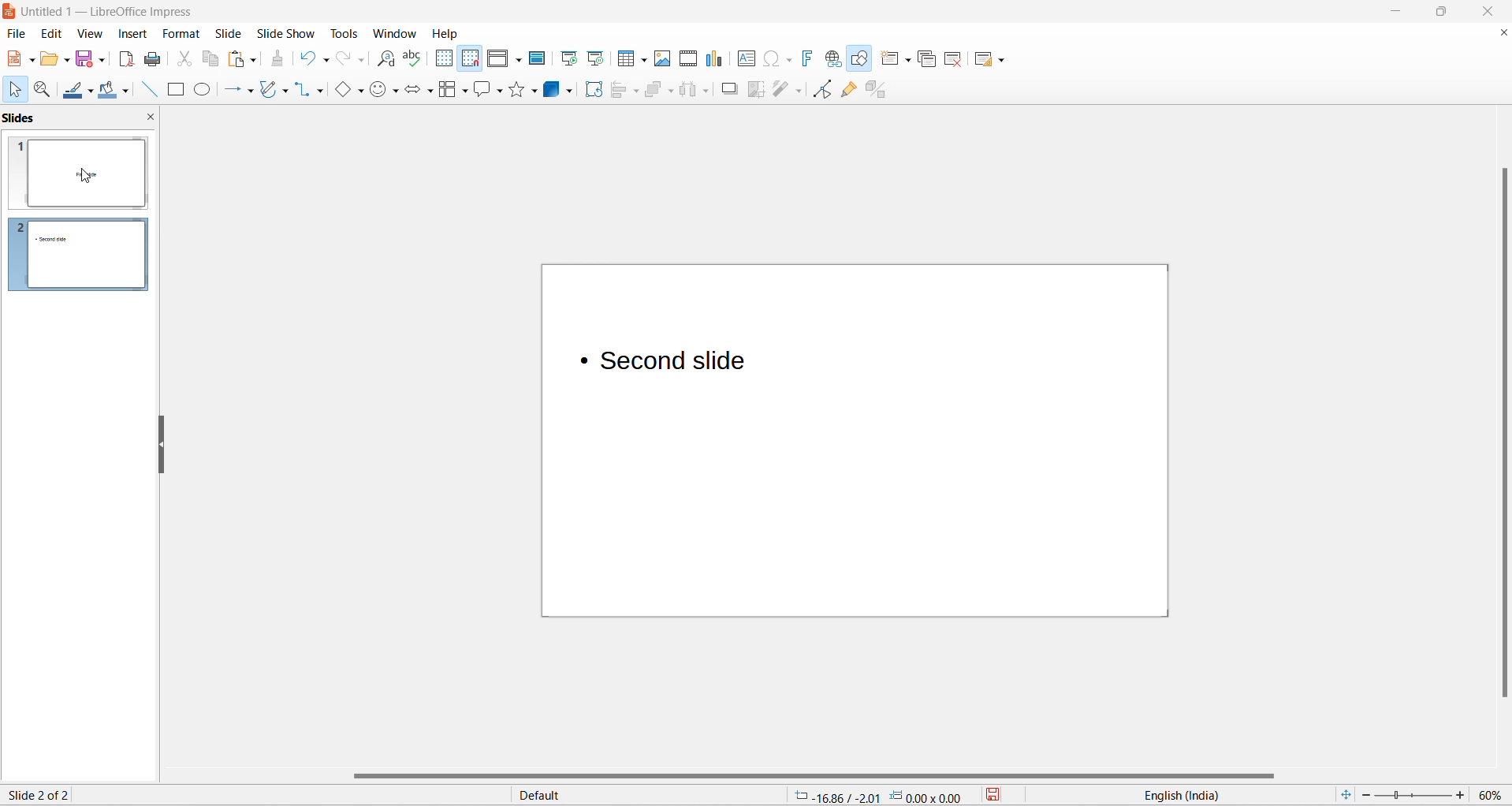 This screenshot has height=806, width=1512. What do you see at coordinates (86, 58) in the screenshot?
I see `save` at bounding box center [86, 58].